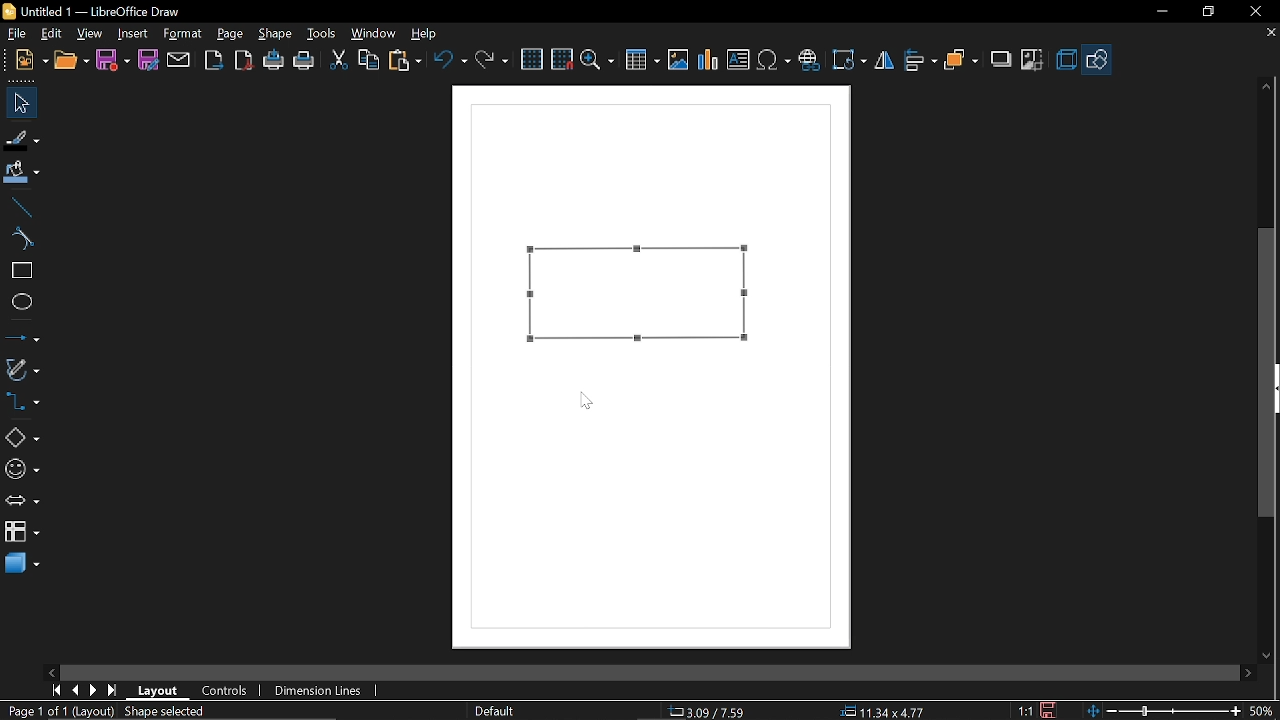  What do you see at coordinates (1266, 372) in the screenshot?
I see `vertical scrollbar` at bounding box center [1266, 372].